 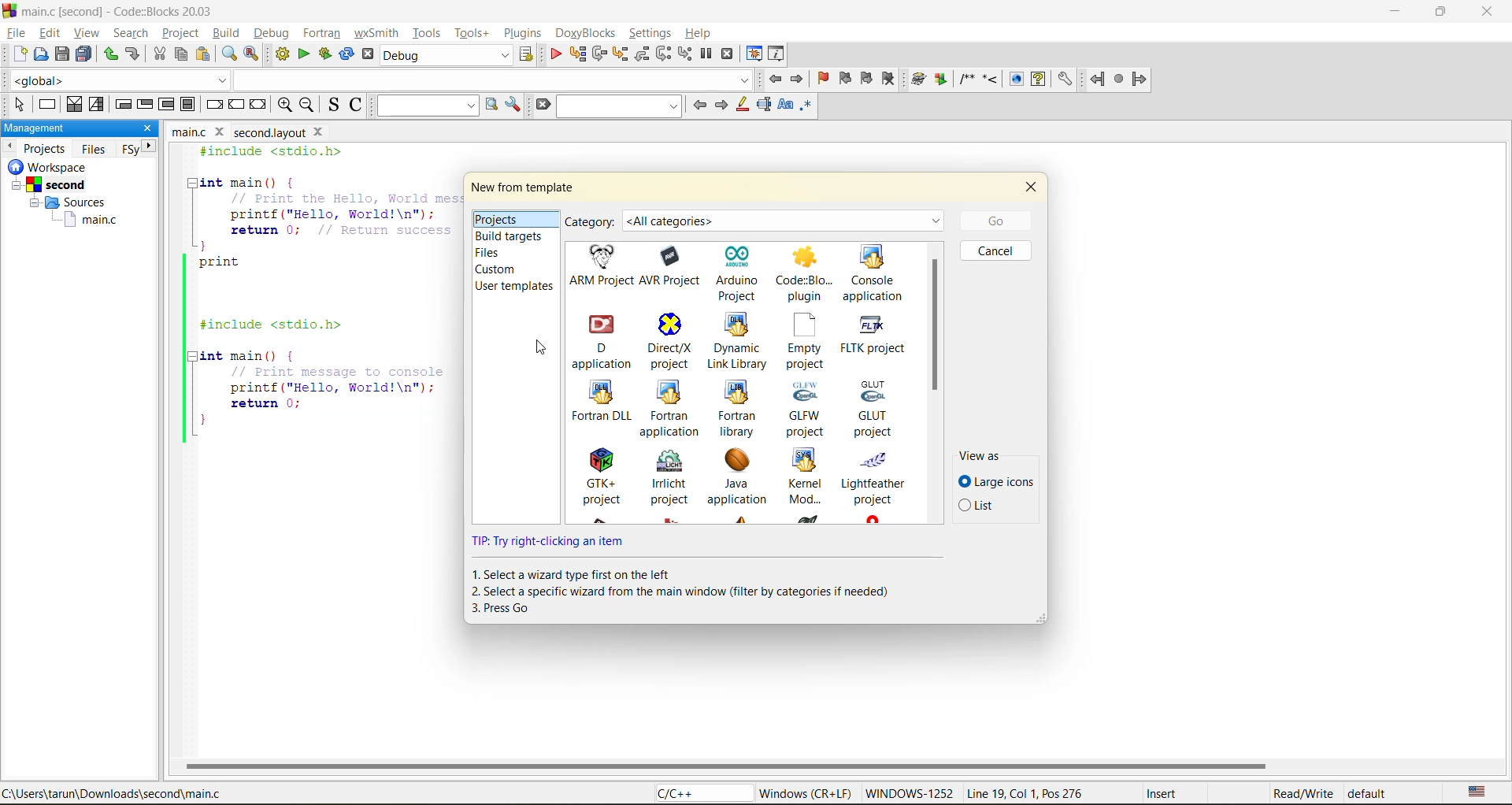 I want to click on text to search, so click(x=428, y=107).